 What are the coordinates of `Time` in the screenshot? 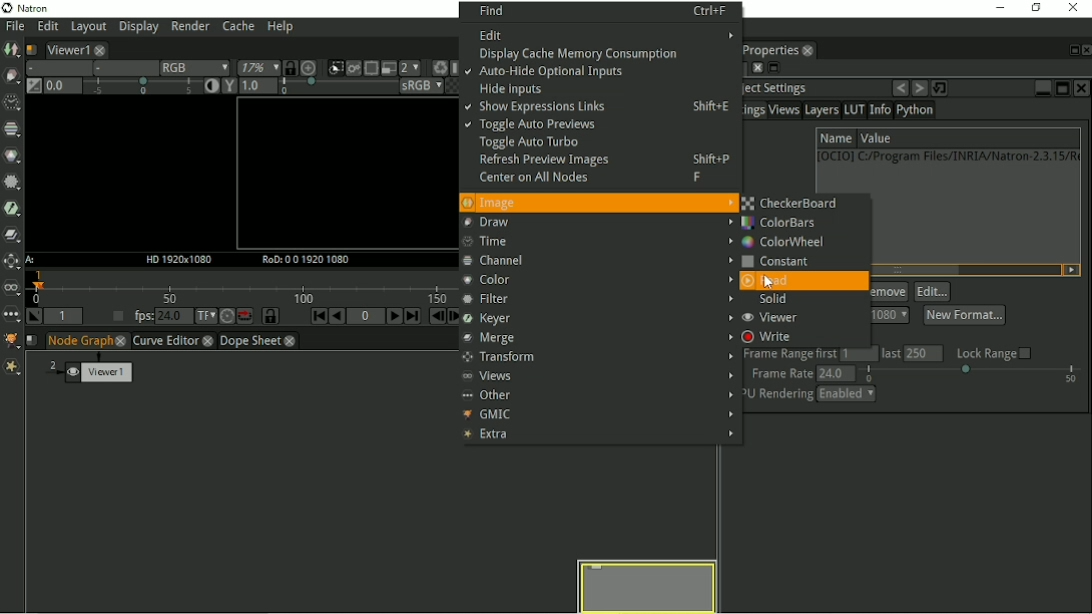 It's located at (10, 101).